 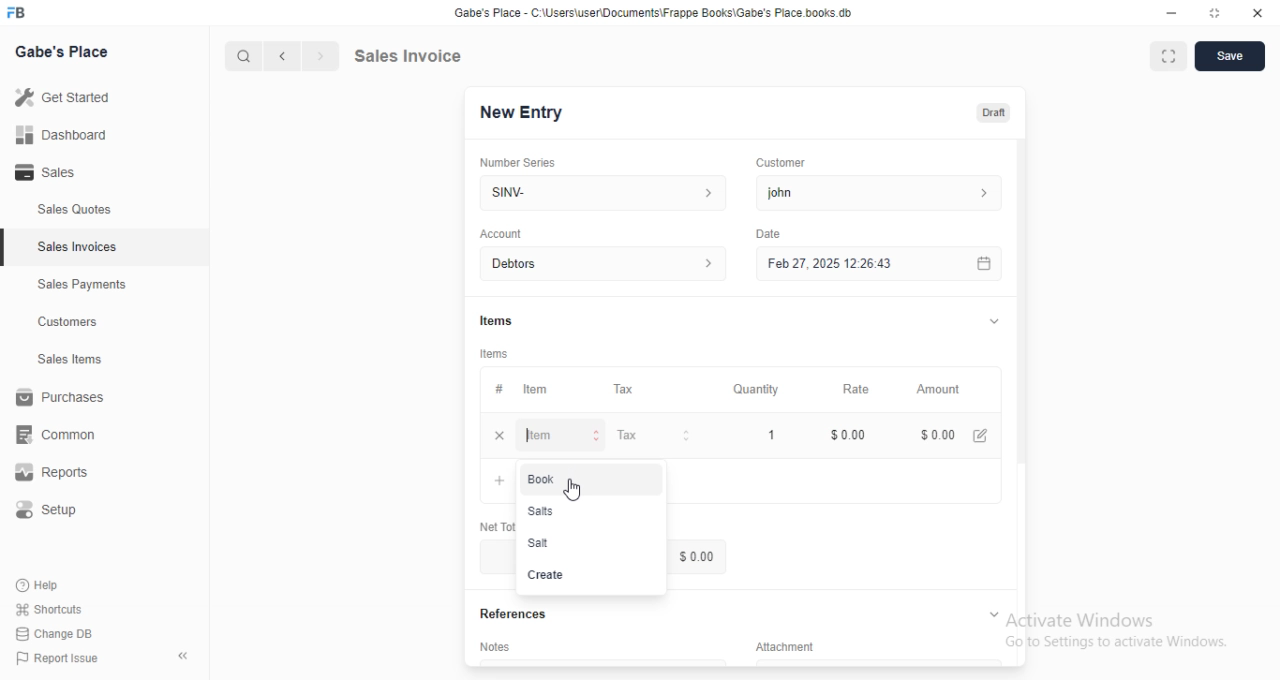 What do you see at coordinates (71, 359) in the screenshot?
I see `Sales tems` at bounding box center [71, 359].